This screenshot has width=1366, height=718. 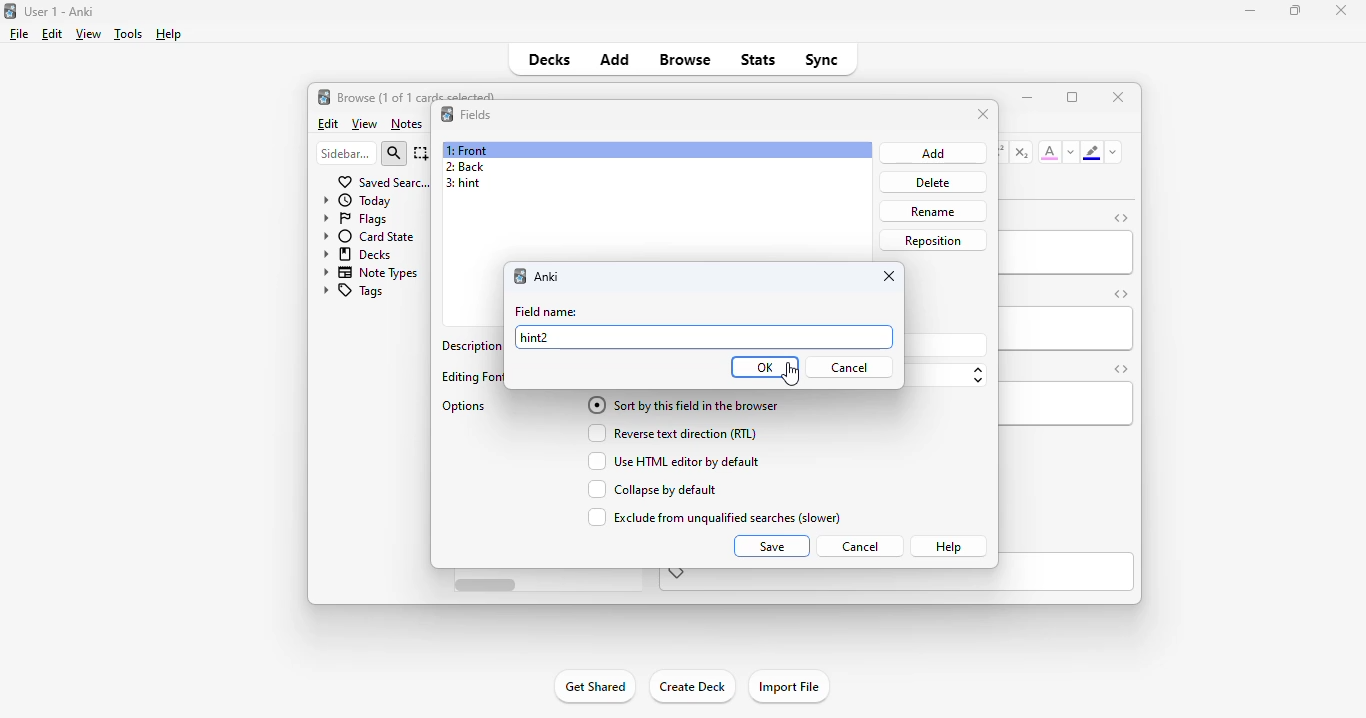 I want to click on view, so click(x=88, y=33).